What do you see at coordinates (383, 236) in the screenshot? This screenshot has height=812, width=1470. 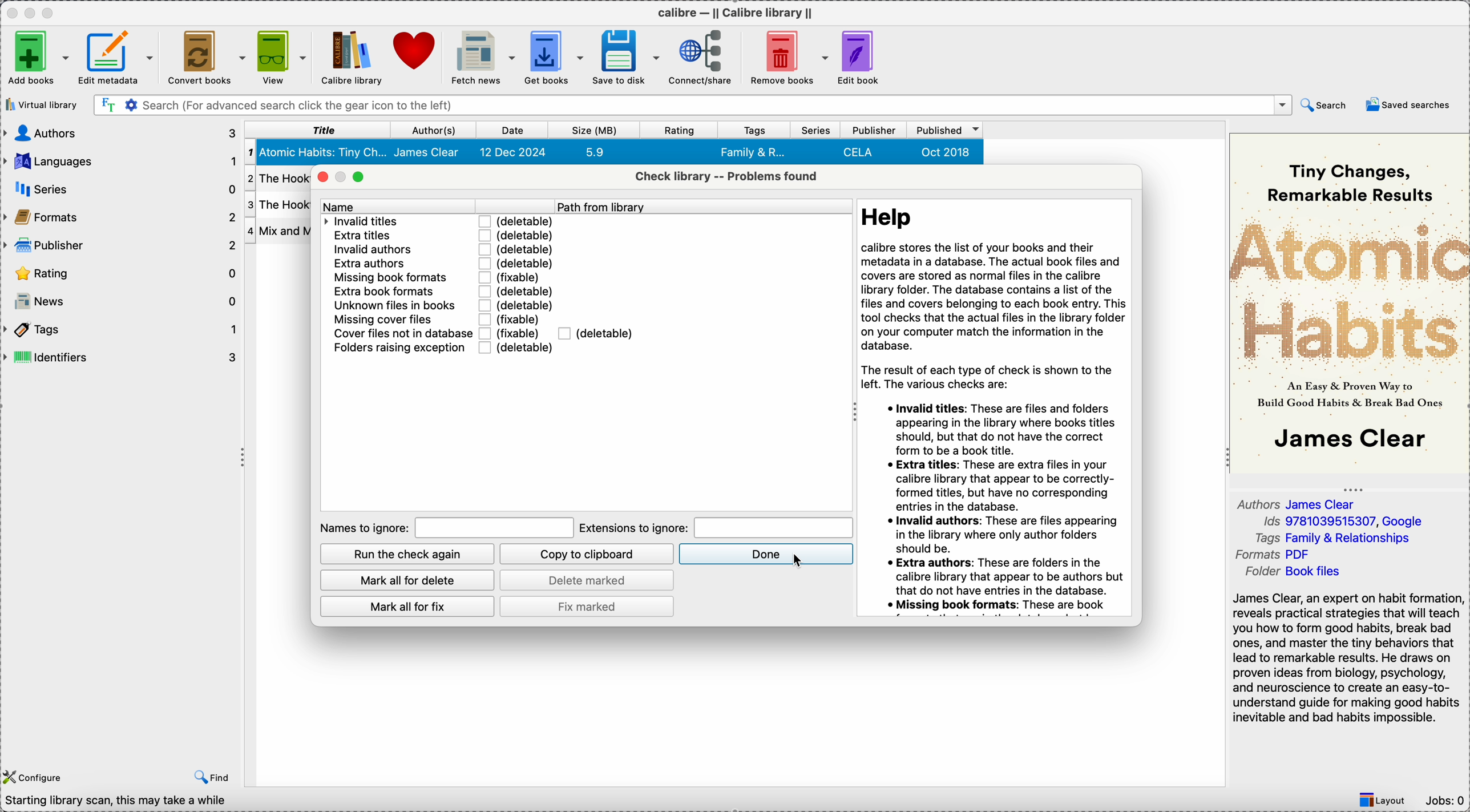 I see `extra titles` at bounding box center [383, 236].